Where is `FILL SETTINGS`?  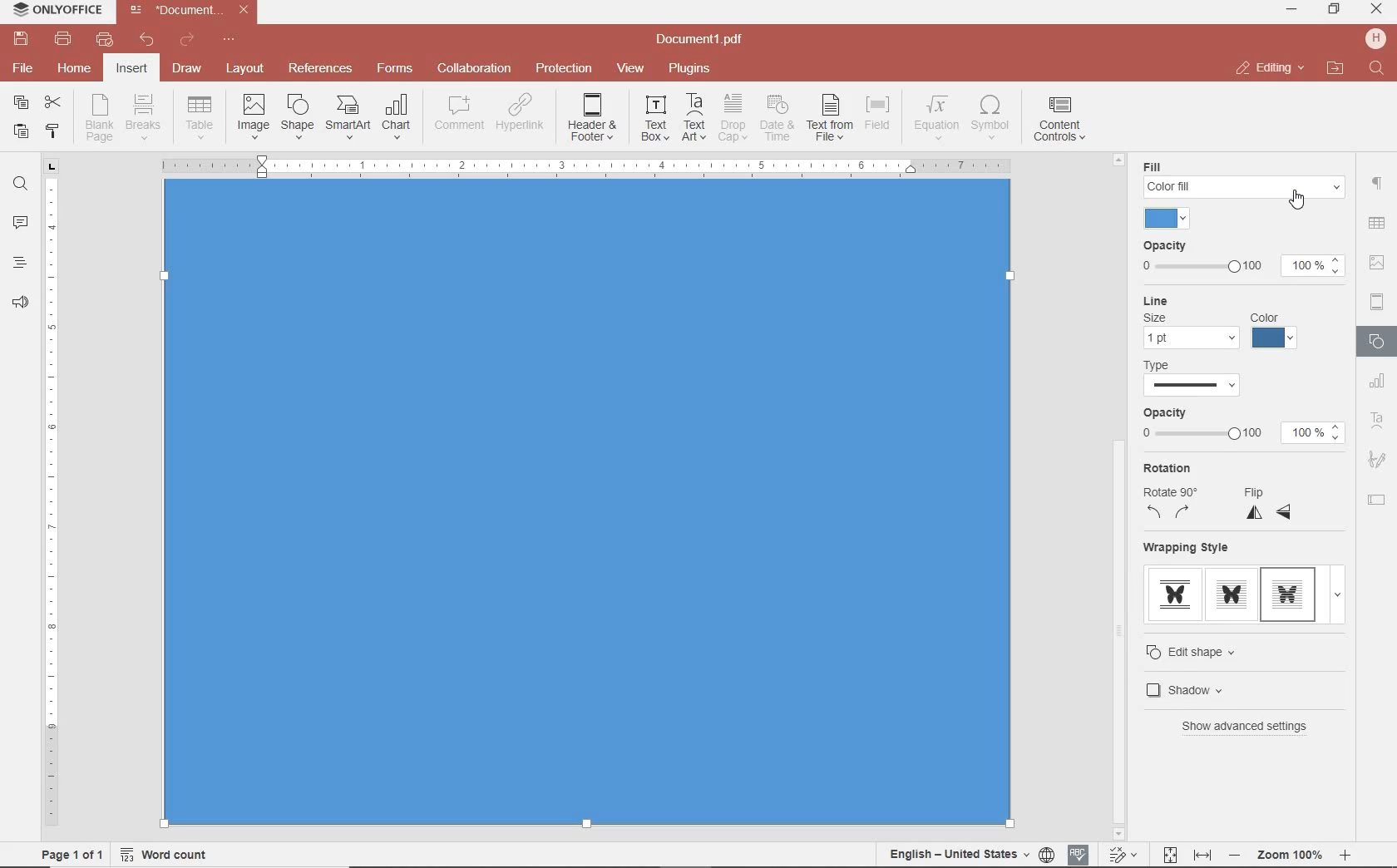
FILL SETTINGS is located at coordinates (1238, 192).